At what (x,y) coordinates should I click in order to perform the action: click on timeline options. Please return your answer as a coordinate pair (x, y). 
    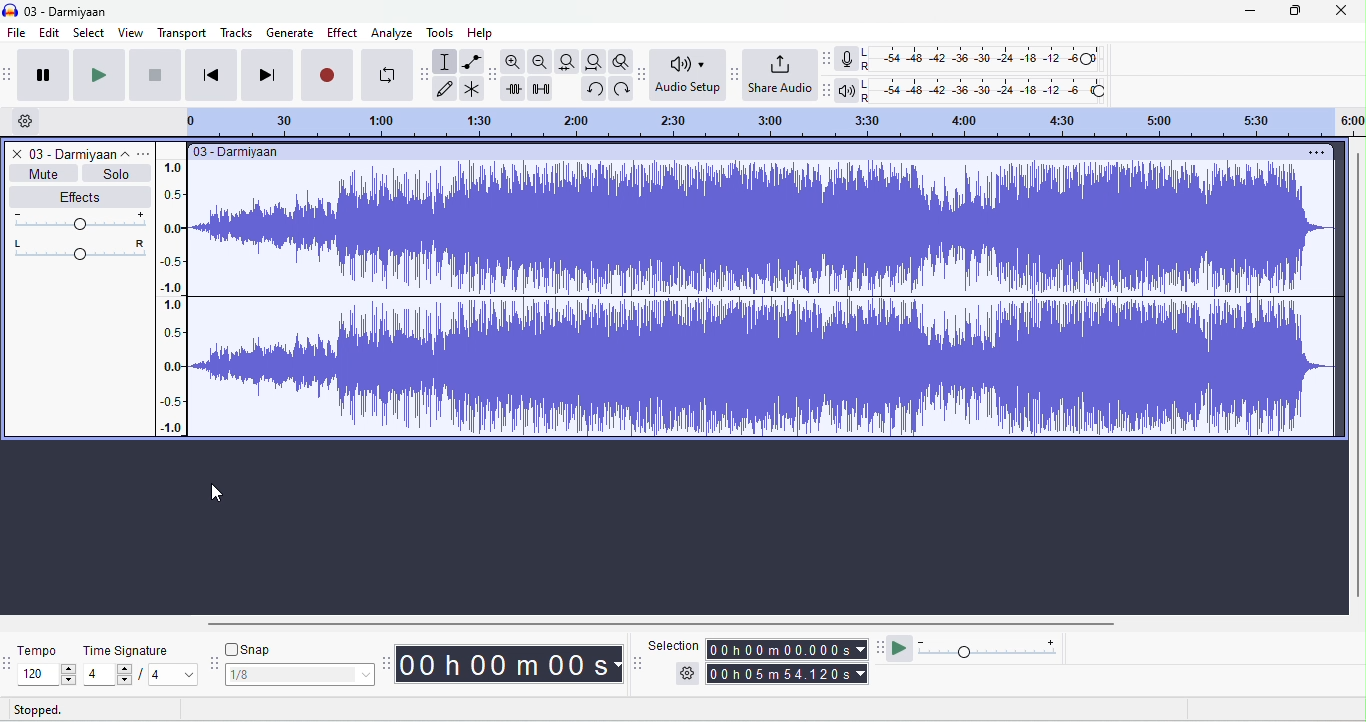
    Looking at the image, I should click on (24, 121).